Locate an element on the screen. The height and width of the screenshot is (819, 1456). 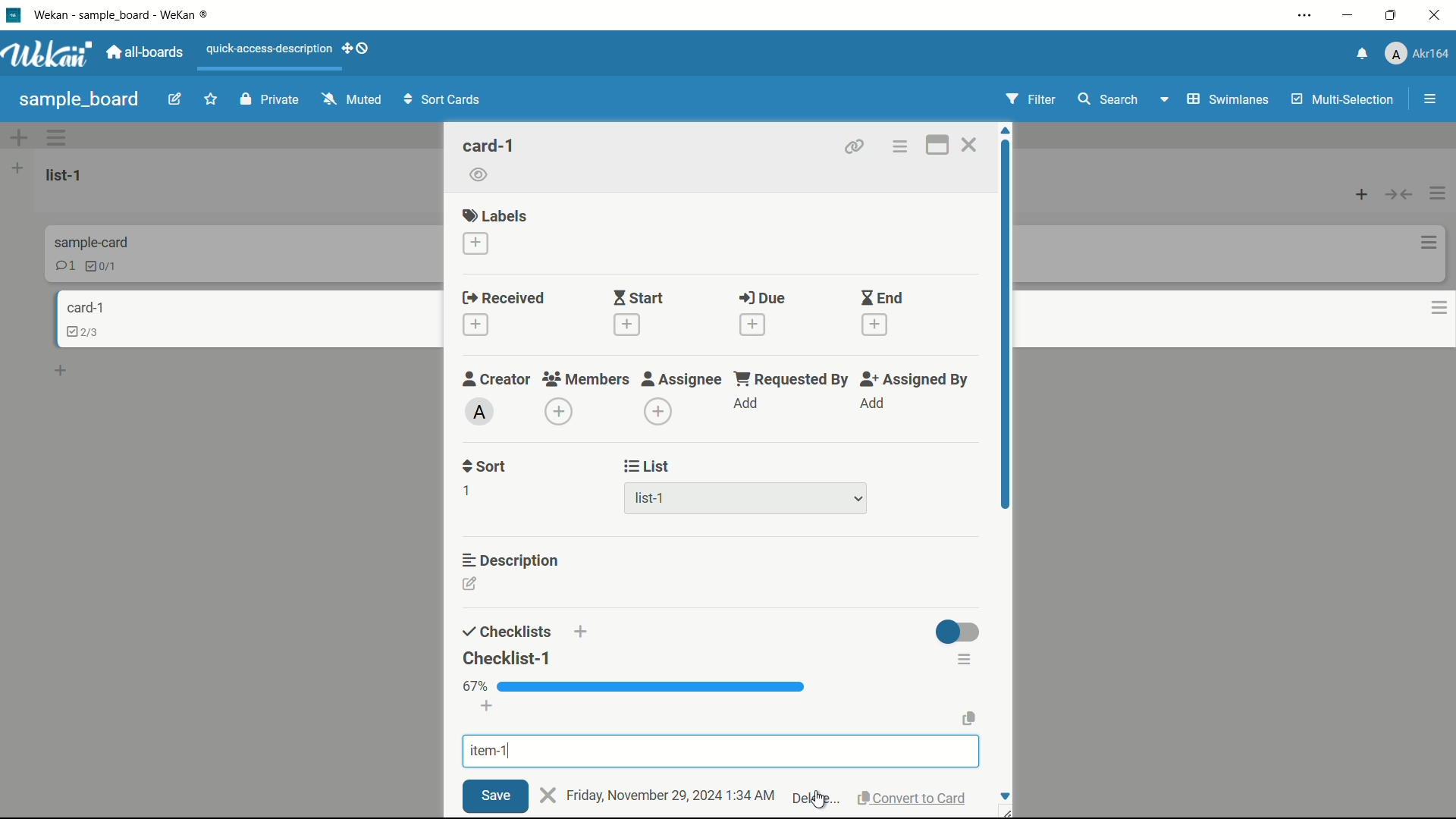
item-1 is located at coordinates (492, 752).